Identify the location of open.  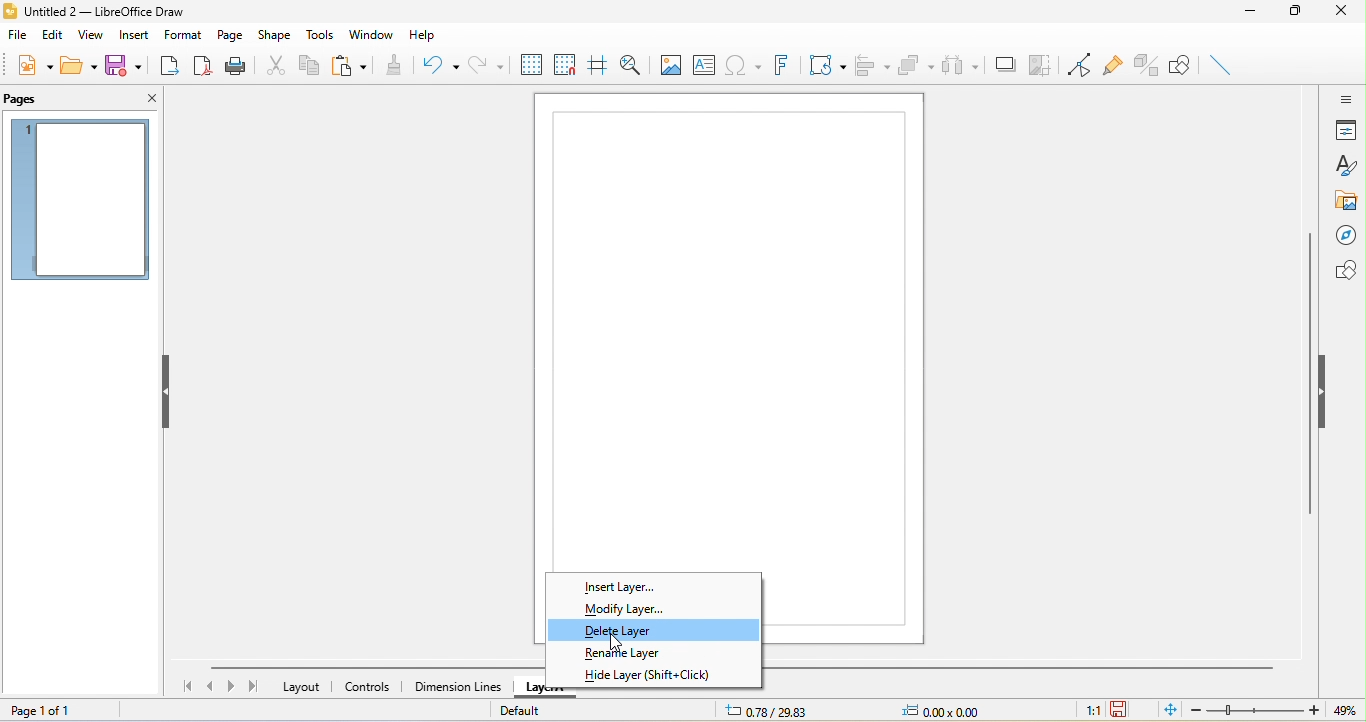
(77, 64).